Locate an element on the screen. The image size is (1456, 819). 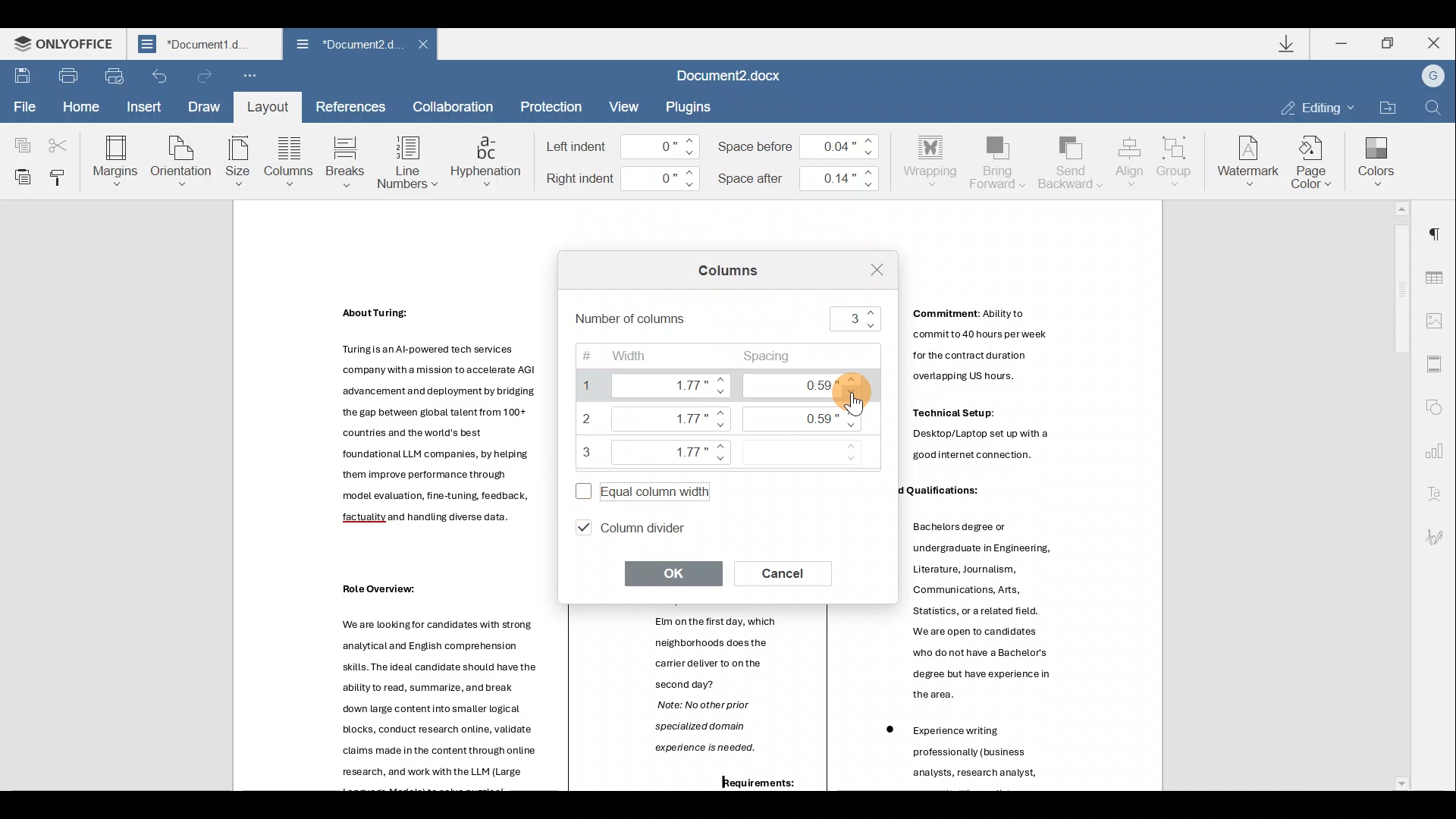
 is located at coordinates (386, 588).